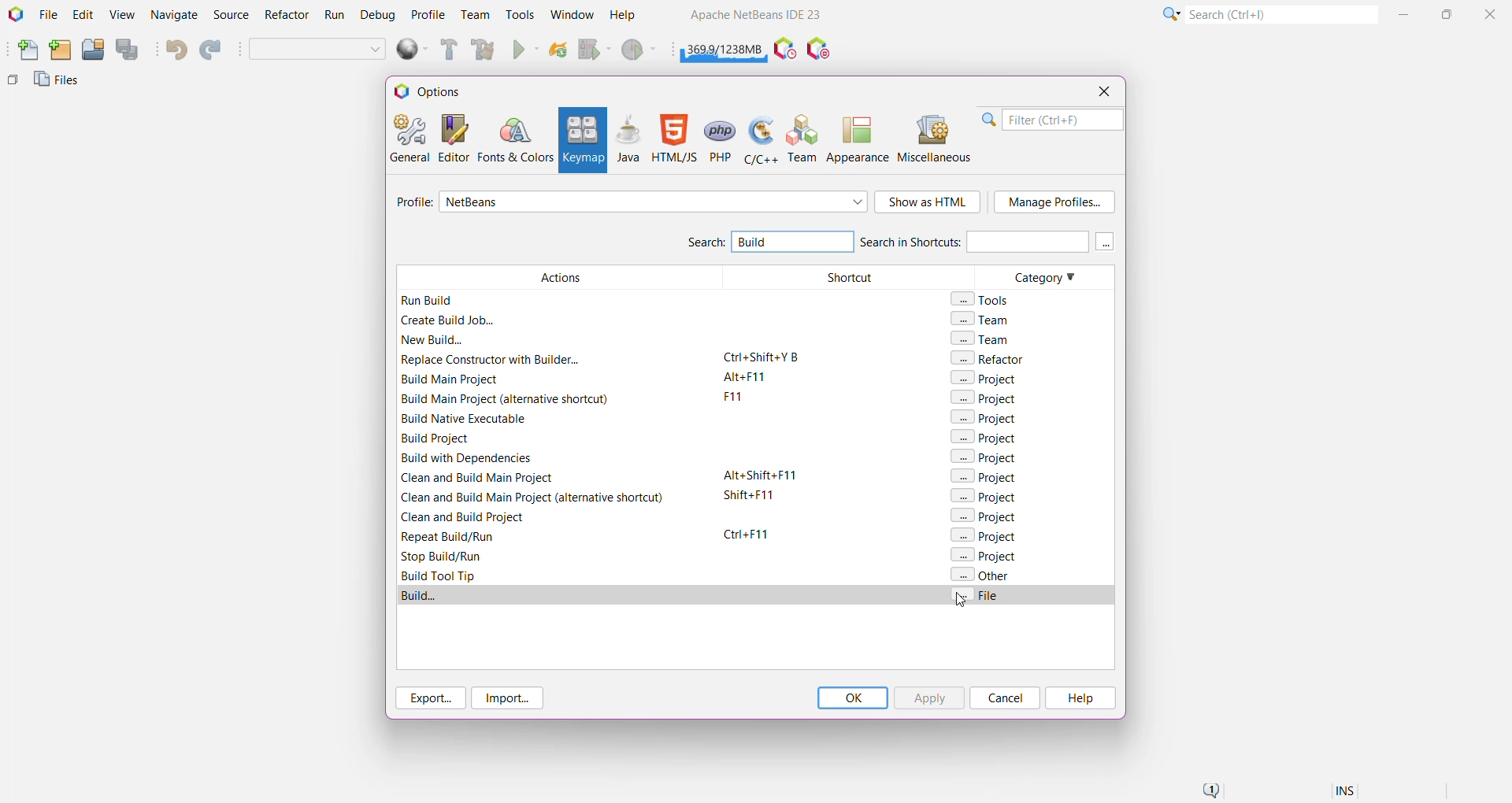 The height and width of the screenshot is (803, 1512). What do you see at coordinates (526, 51) in the screenshot?
I see `Run` at bounding box center [526, 51].